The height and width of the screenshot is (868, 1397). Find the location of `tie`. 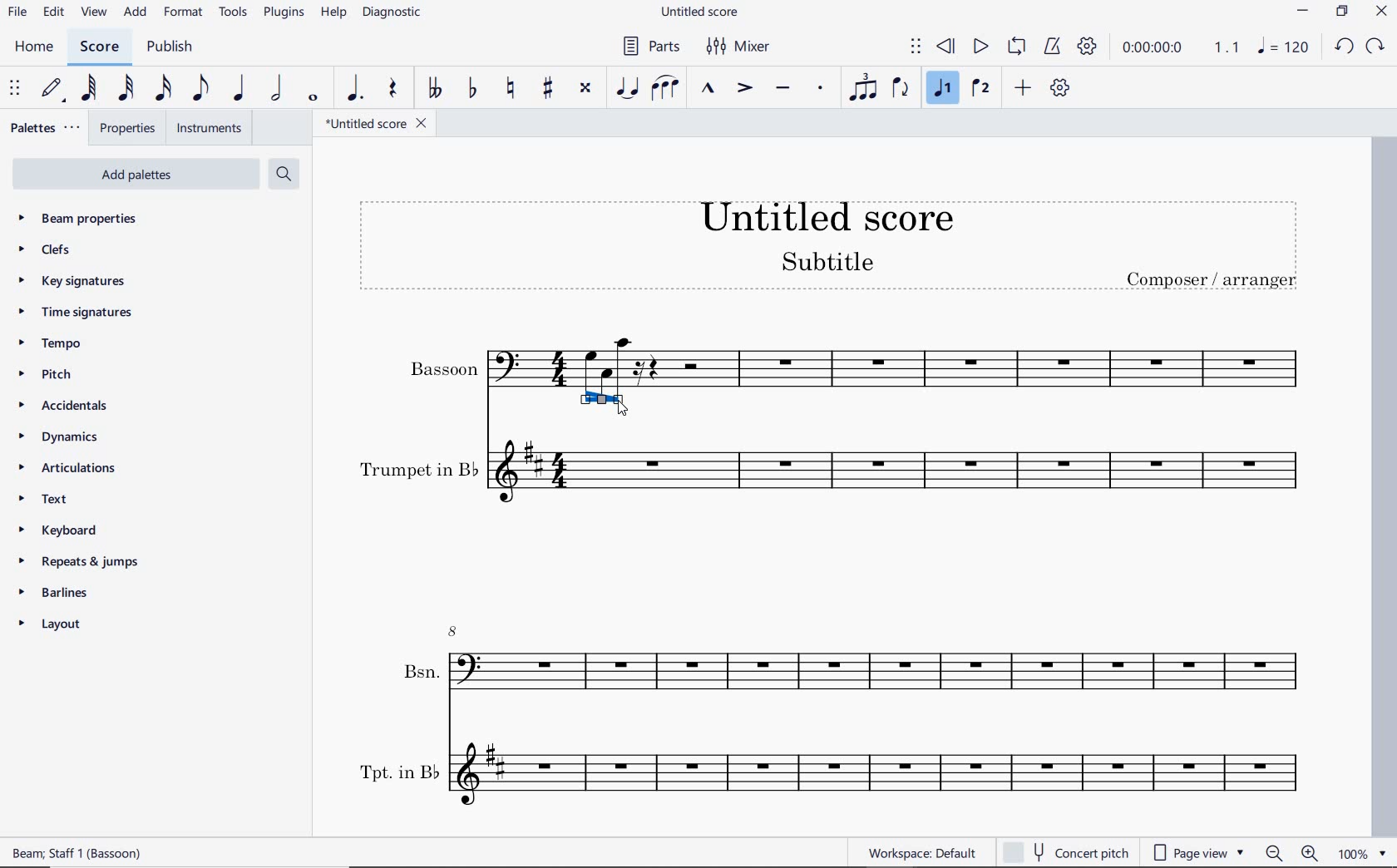

tie is located at coordinates (628, 89).